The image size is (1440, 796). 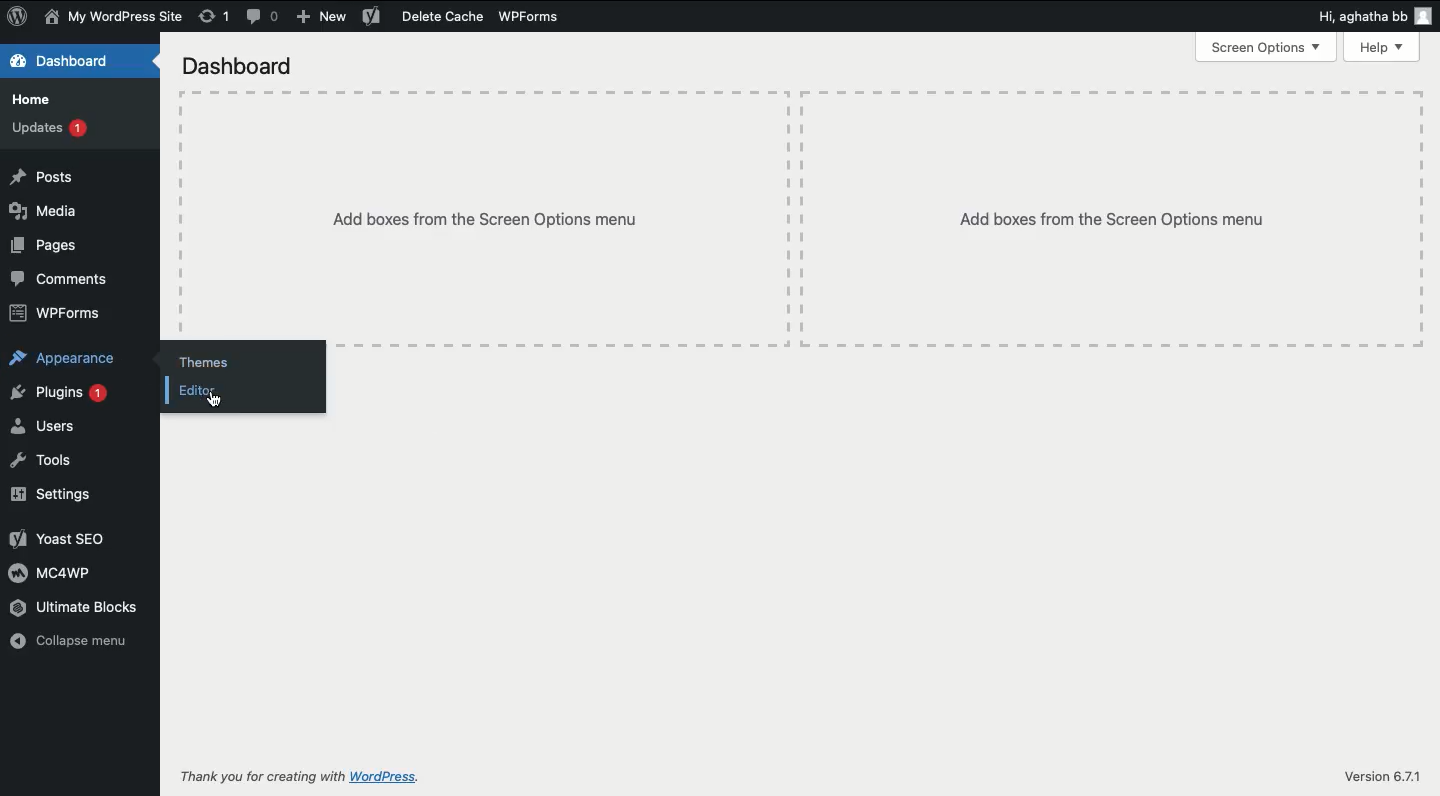 What do you see at coordinates (40, 424) in the screenshot?
I see `users` at bounding box center [40, 424].